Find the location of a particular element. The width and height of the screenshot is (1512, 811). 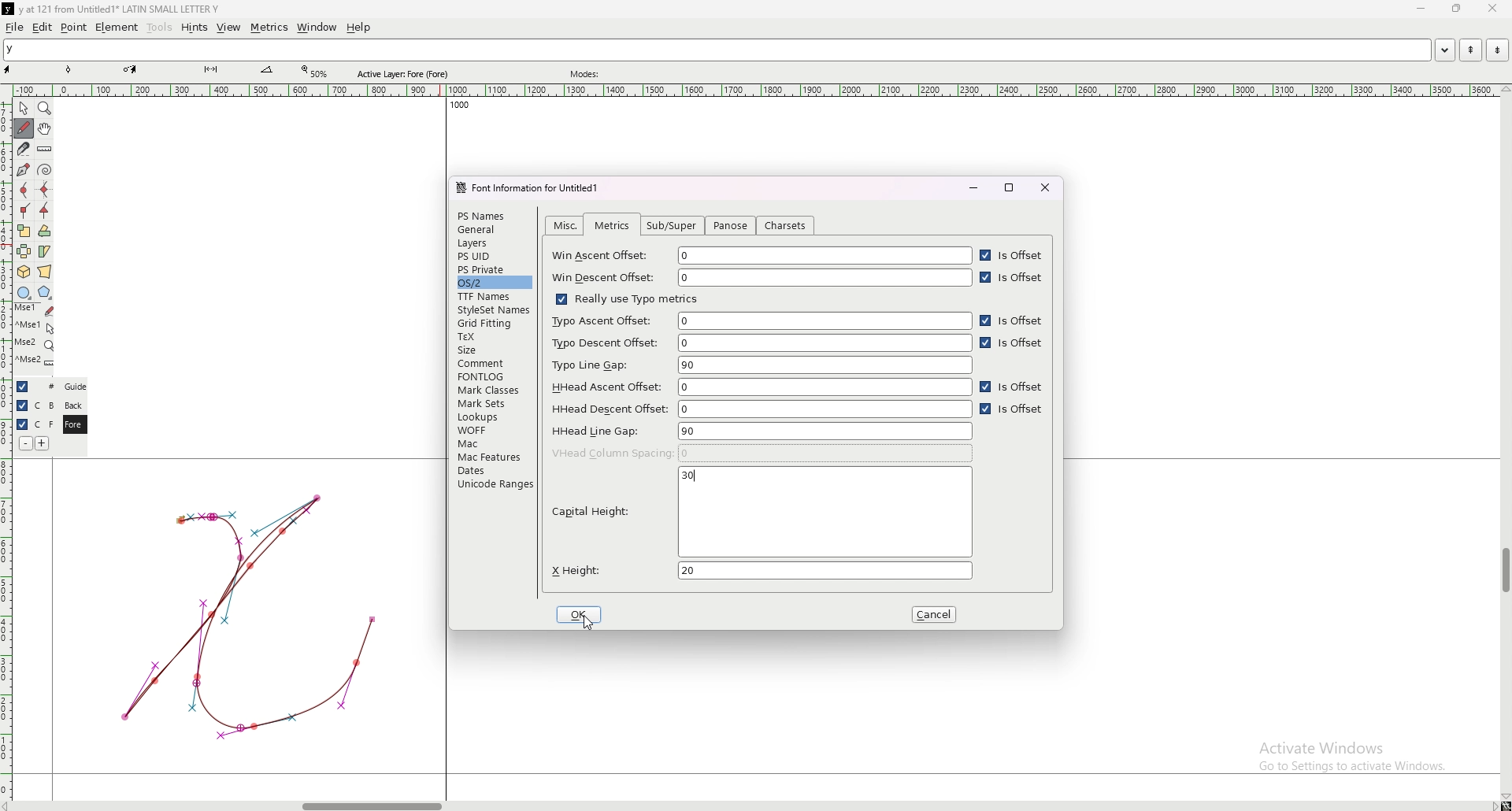

help is located at coordinates (358, 28).